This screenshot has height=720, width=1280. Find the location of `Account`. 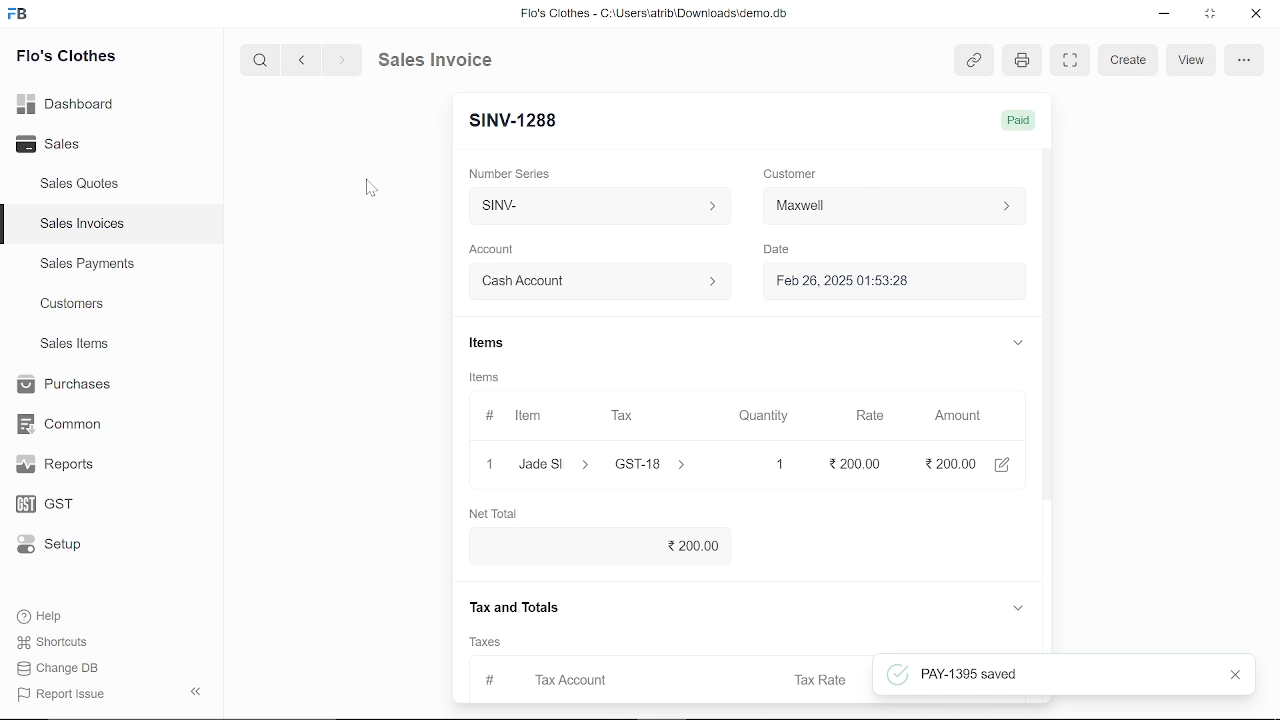

Account is located at coordinates (497, 250).